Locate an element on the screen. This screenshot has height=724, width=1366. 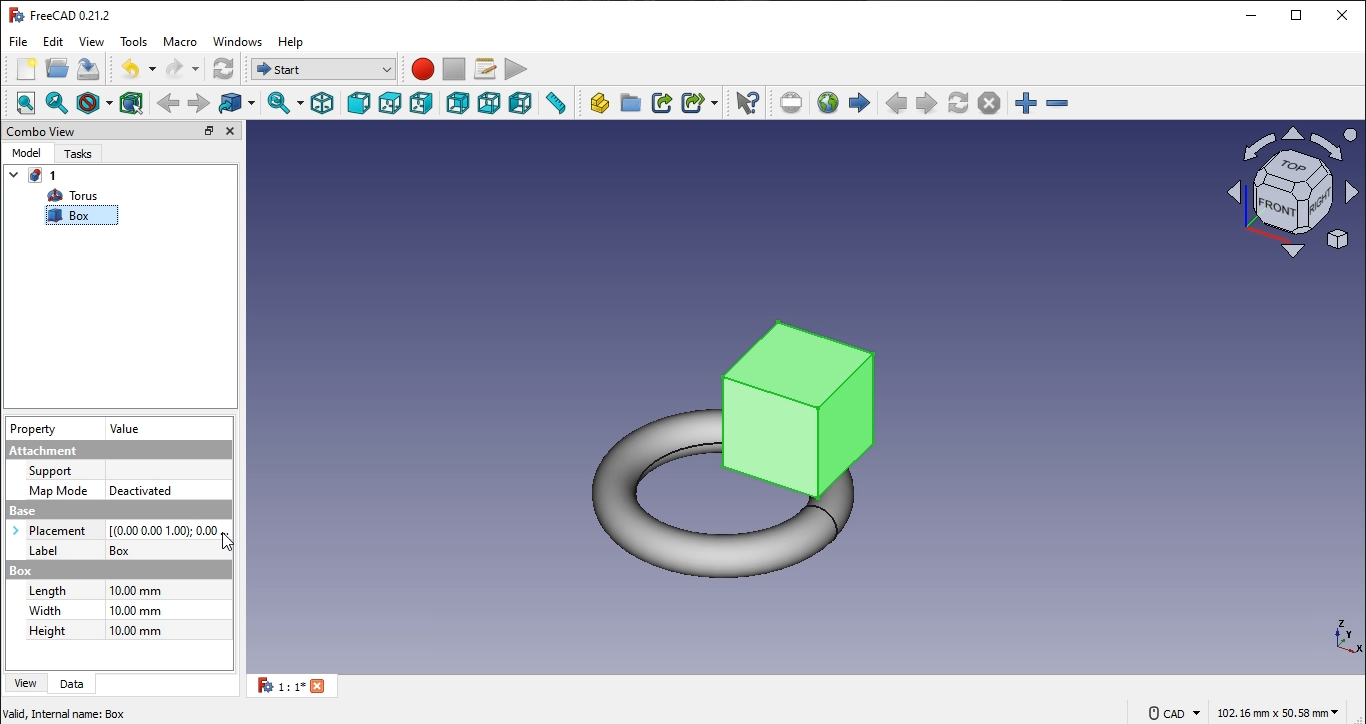
view is located at coordinates (26, 684).